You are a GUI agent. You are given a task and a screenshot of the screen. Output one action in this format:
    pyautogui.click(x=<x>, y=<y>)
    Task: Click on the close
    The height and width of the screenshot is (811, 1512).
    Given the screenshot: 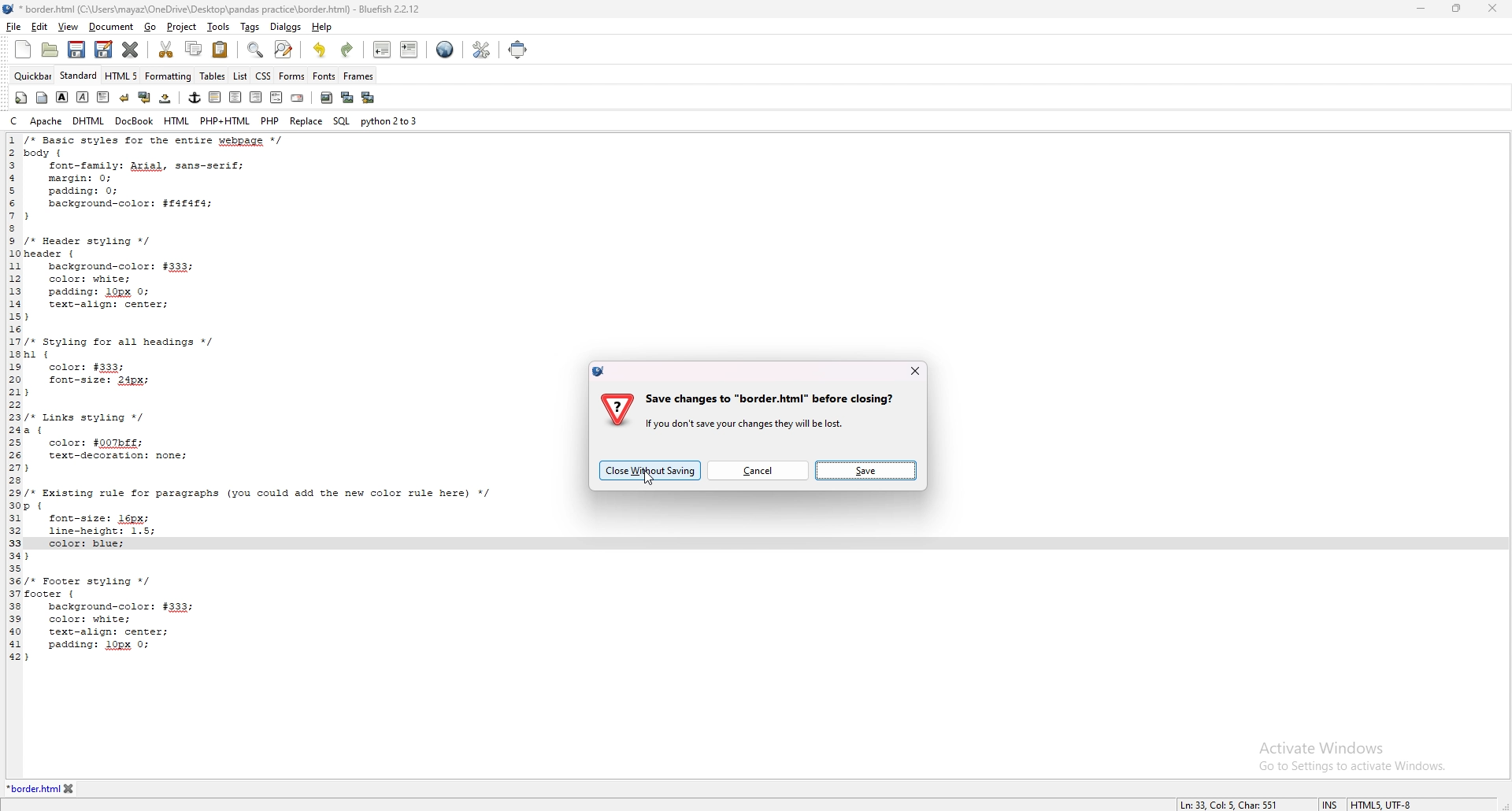 What is the action you would take?
    pyautogui.click(x=1493, y=9)
    